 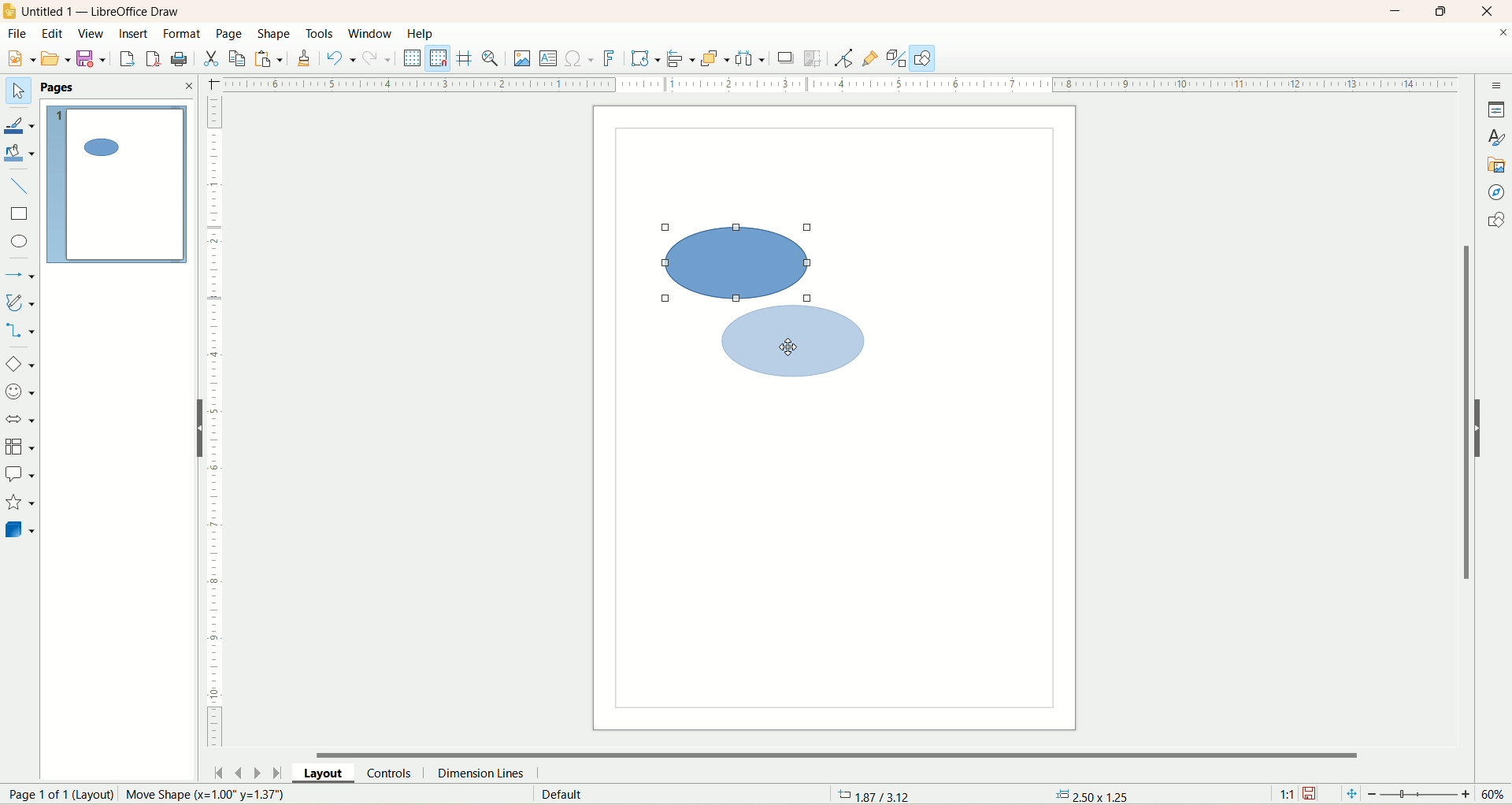 What do you see at coordinates (442, 60) in the screenshot?
I see `snap to grid` at bounding box center [442, 60].